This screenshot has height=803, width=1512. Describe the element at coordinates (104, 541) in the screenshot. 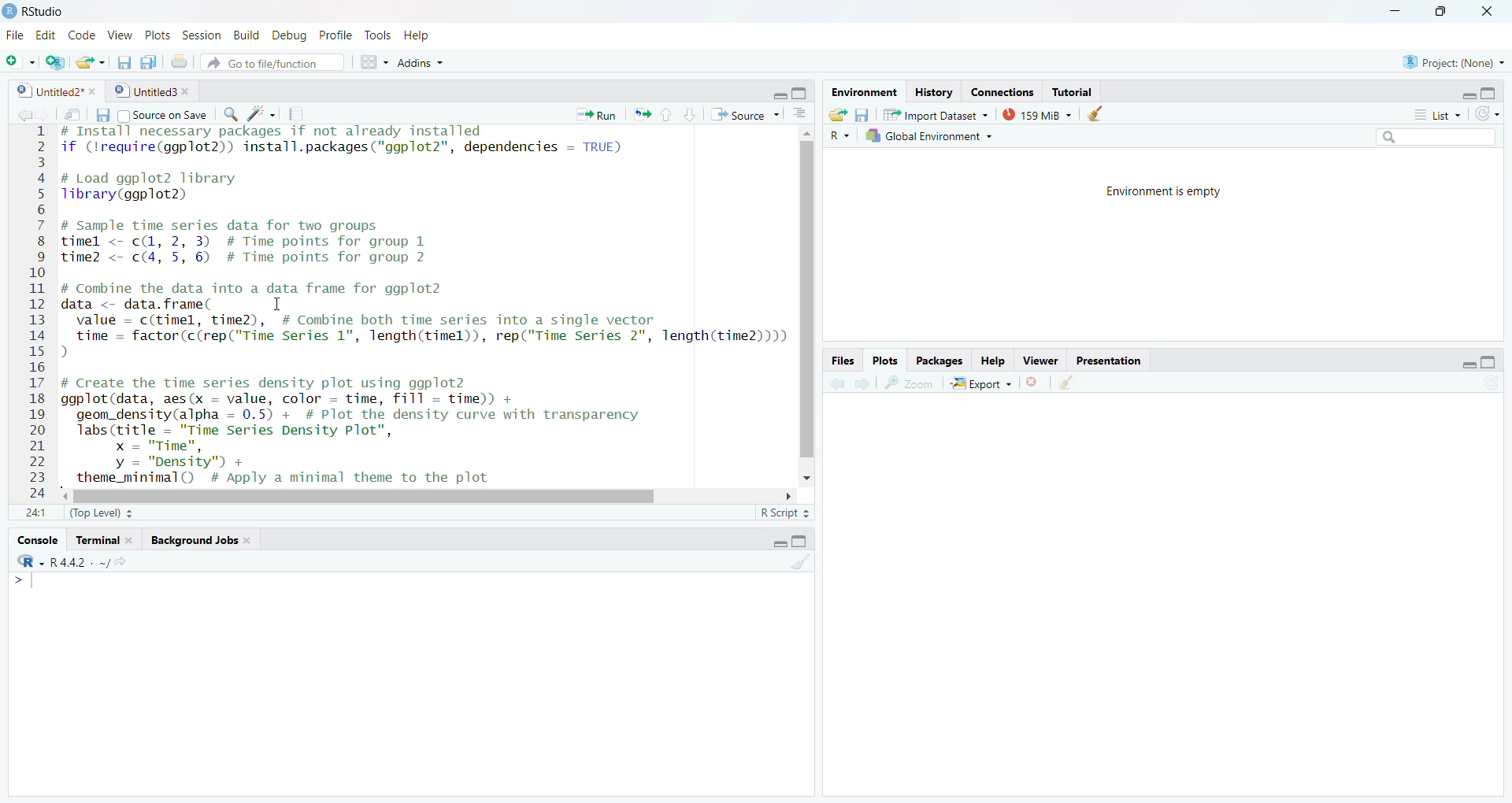

I see `Terminal` at that location.